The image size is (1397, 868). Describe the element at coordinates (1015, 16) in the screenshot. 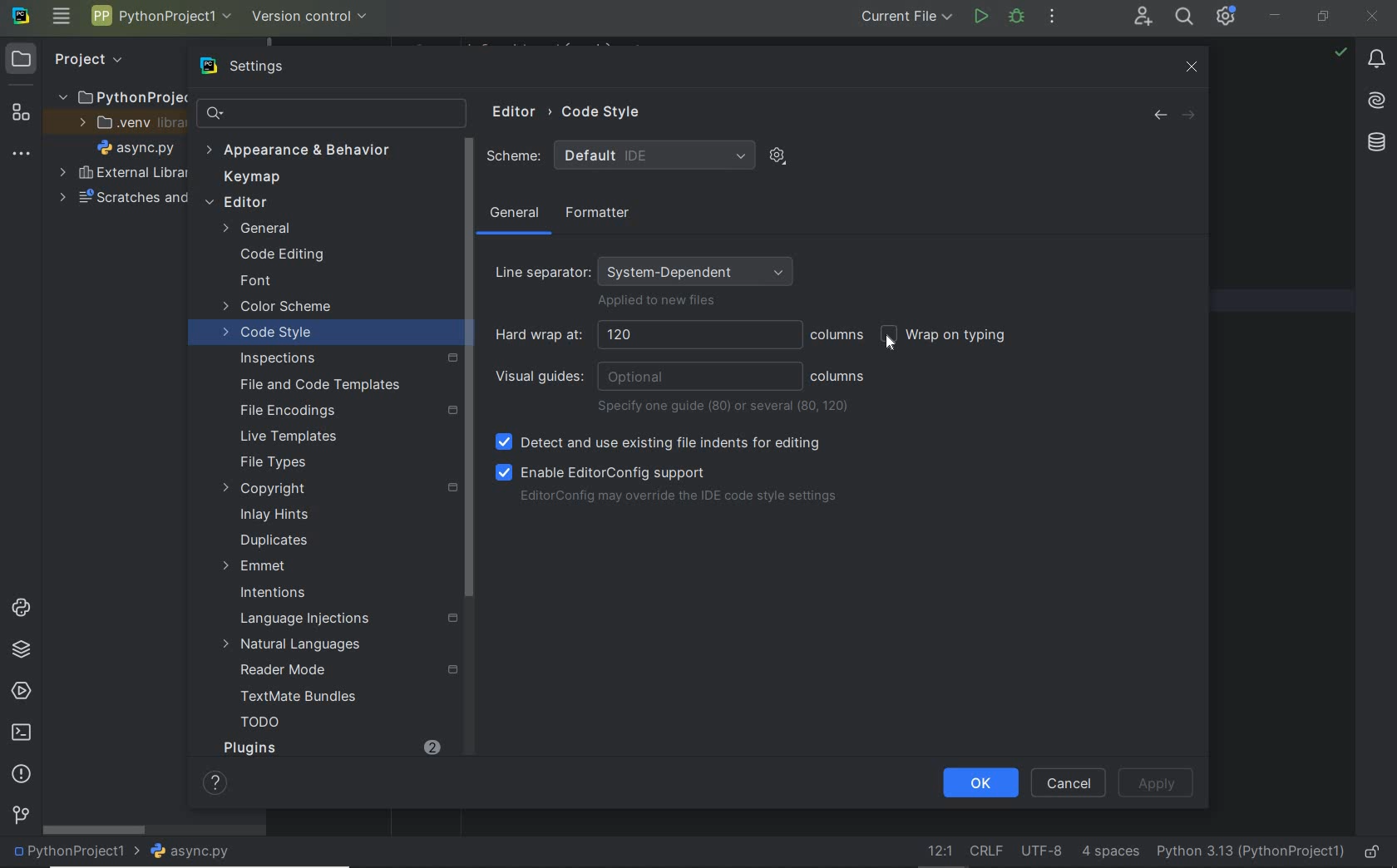

I see `bug` at that location.